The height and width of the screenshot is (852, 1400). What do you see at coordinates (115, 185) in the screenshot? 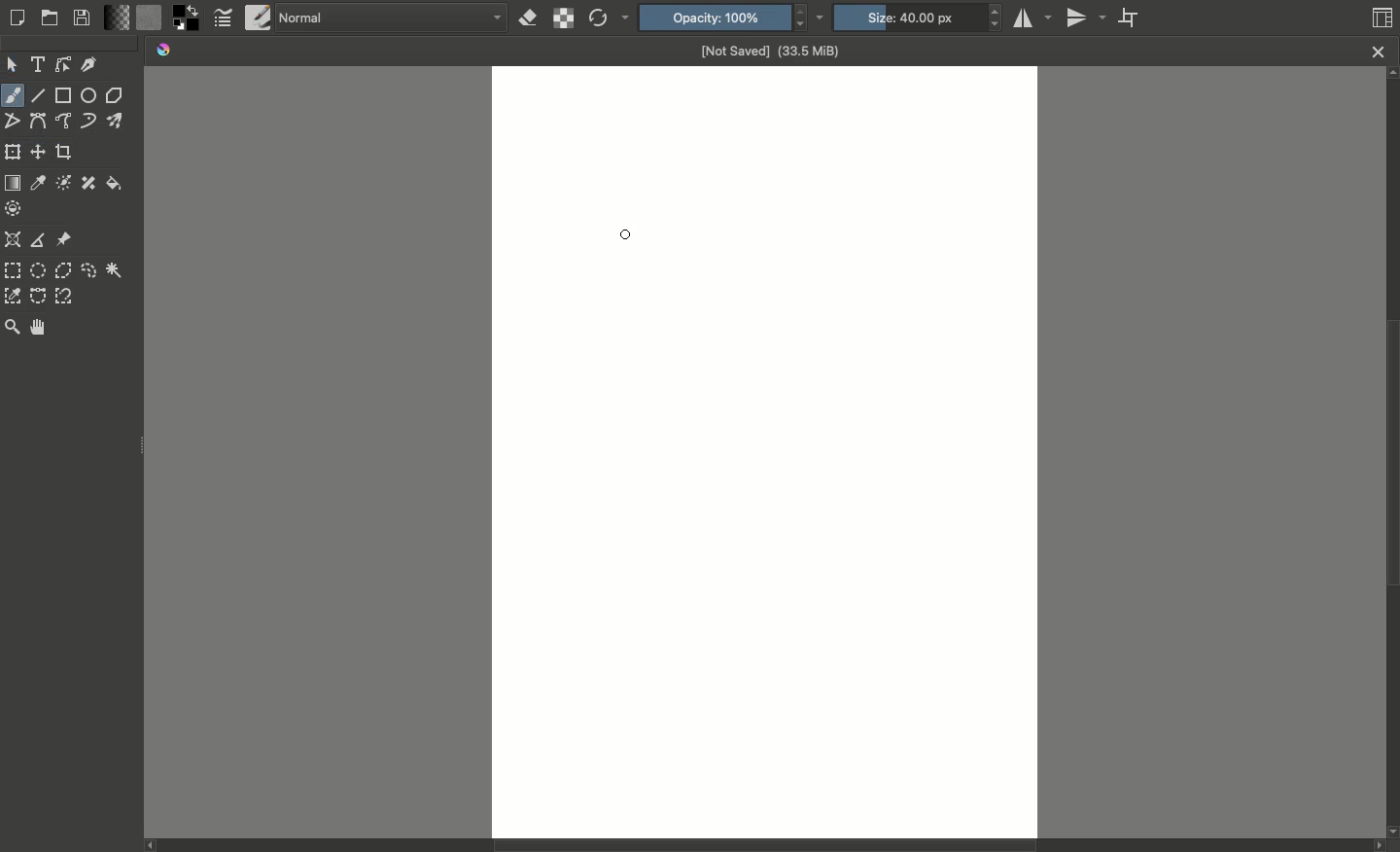
I see `Fil` at bounding box center [115, 185].